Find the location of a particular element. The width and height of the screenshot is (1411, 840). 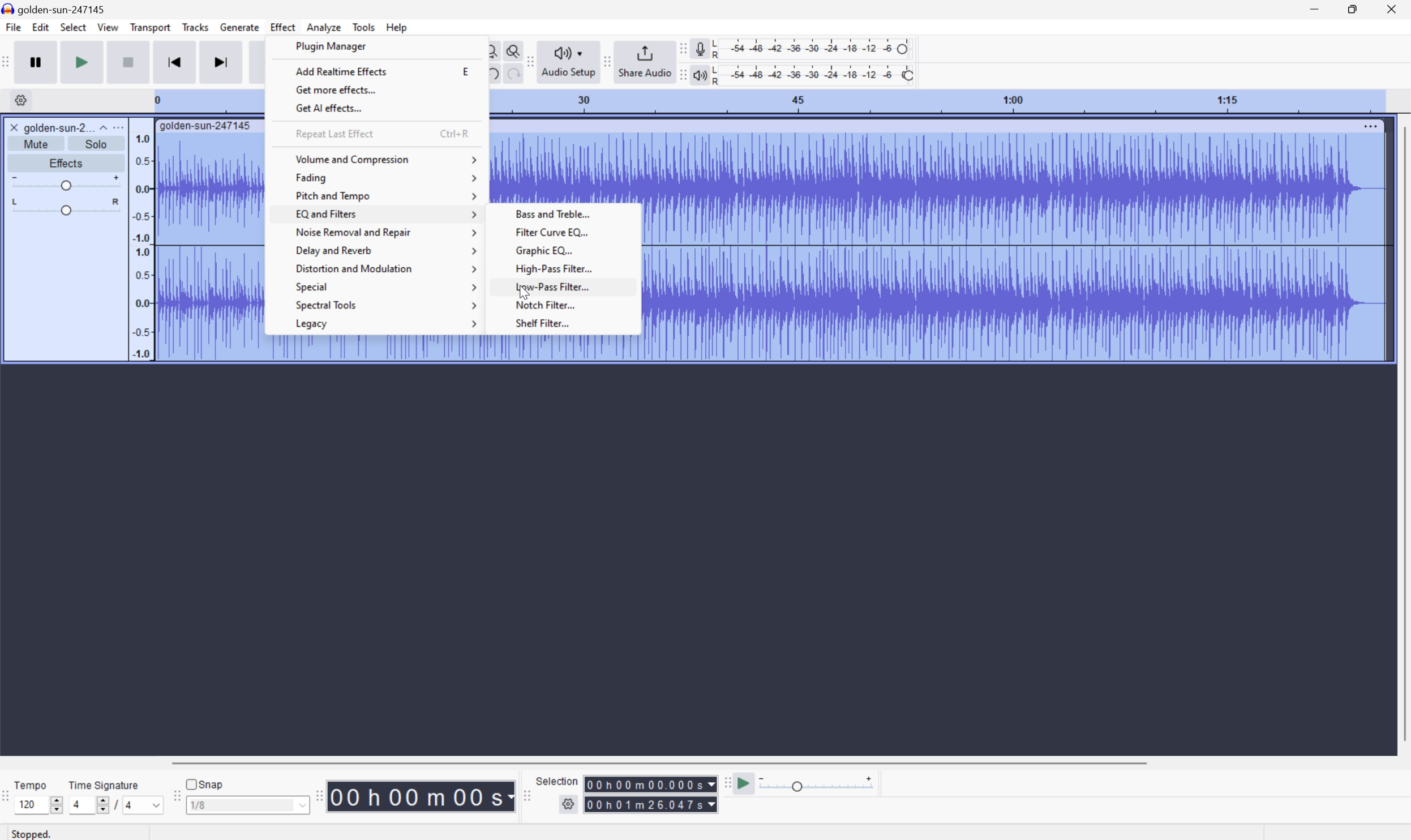

Fit project to width is located at coordinates (490, 49).